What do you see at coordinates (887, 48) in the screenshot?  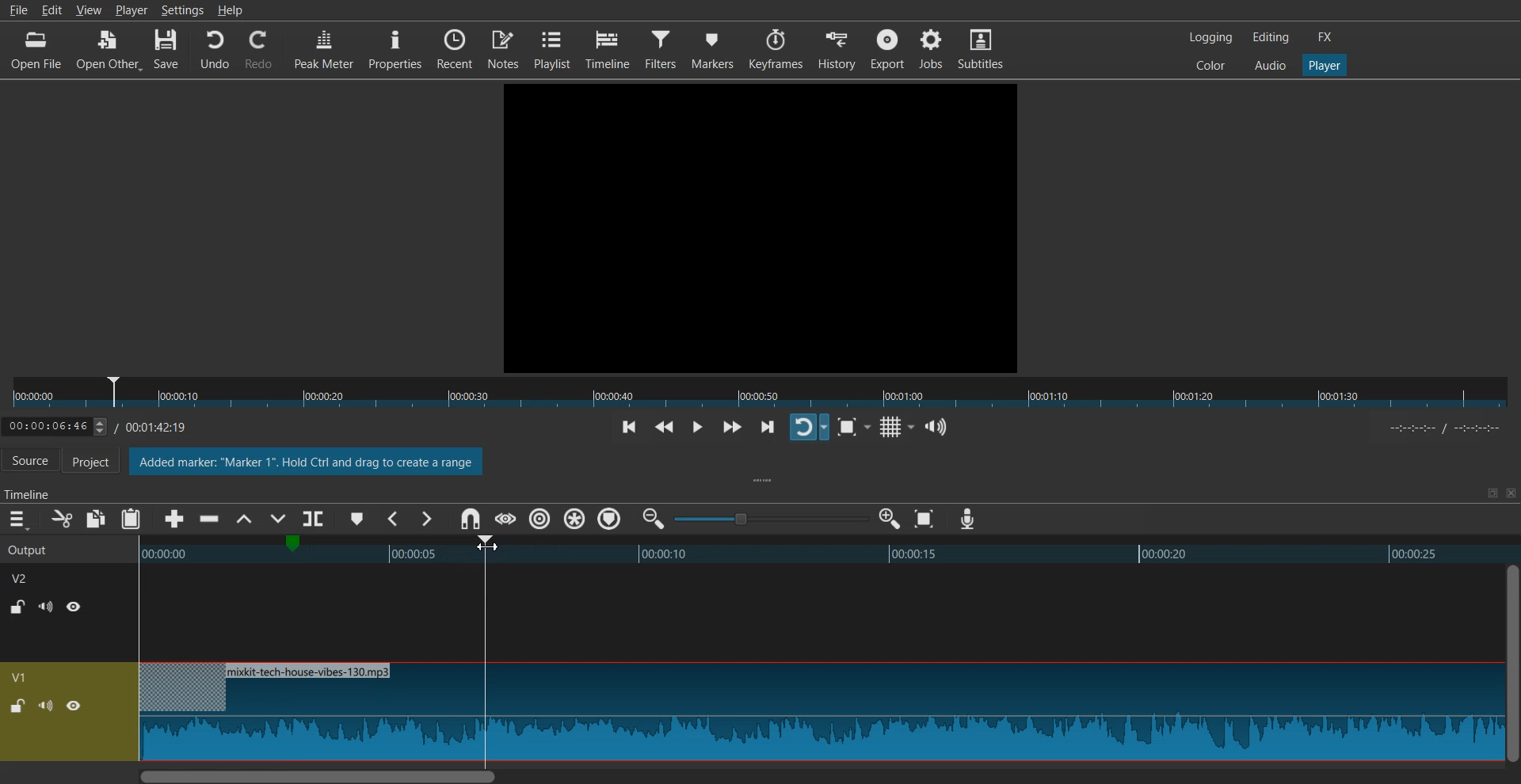 I see `Export` at bounding box center [887, 48].